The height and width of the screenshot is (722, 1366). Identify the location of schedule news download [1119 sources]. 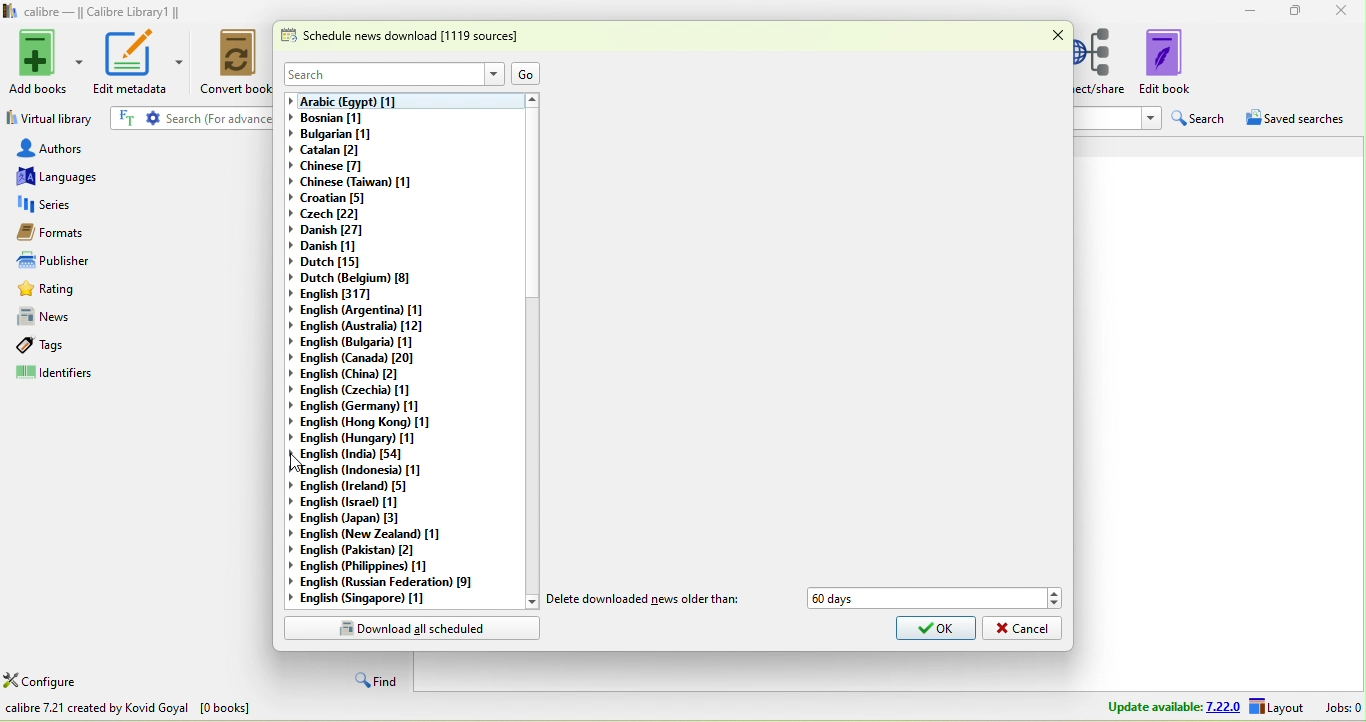
(407, 40).